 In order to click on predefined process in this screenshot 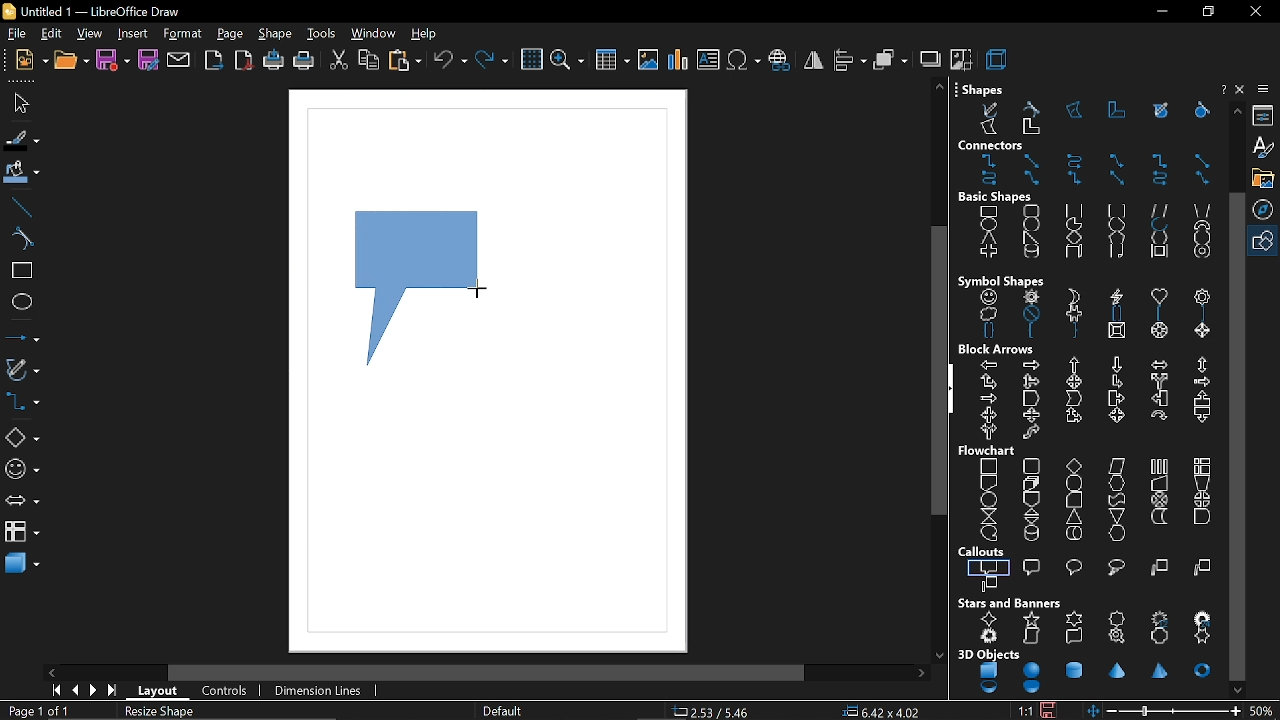, I will do `click(1159, 466)`.